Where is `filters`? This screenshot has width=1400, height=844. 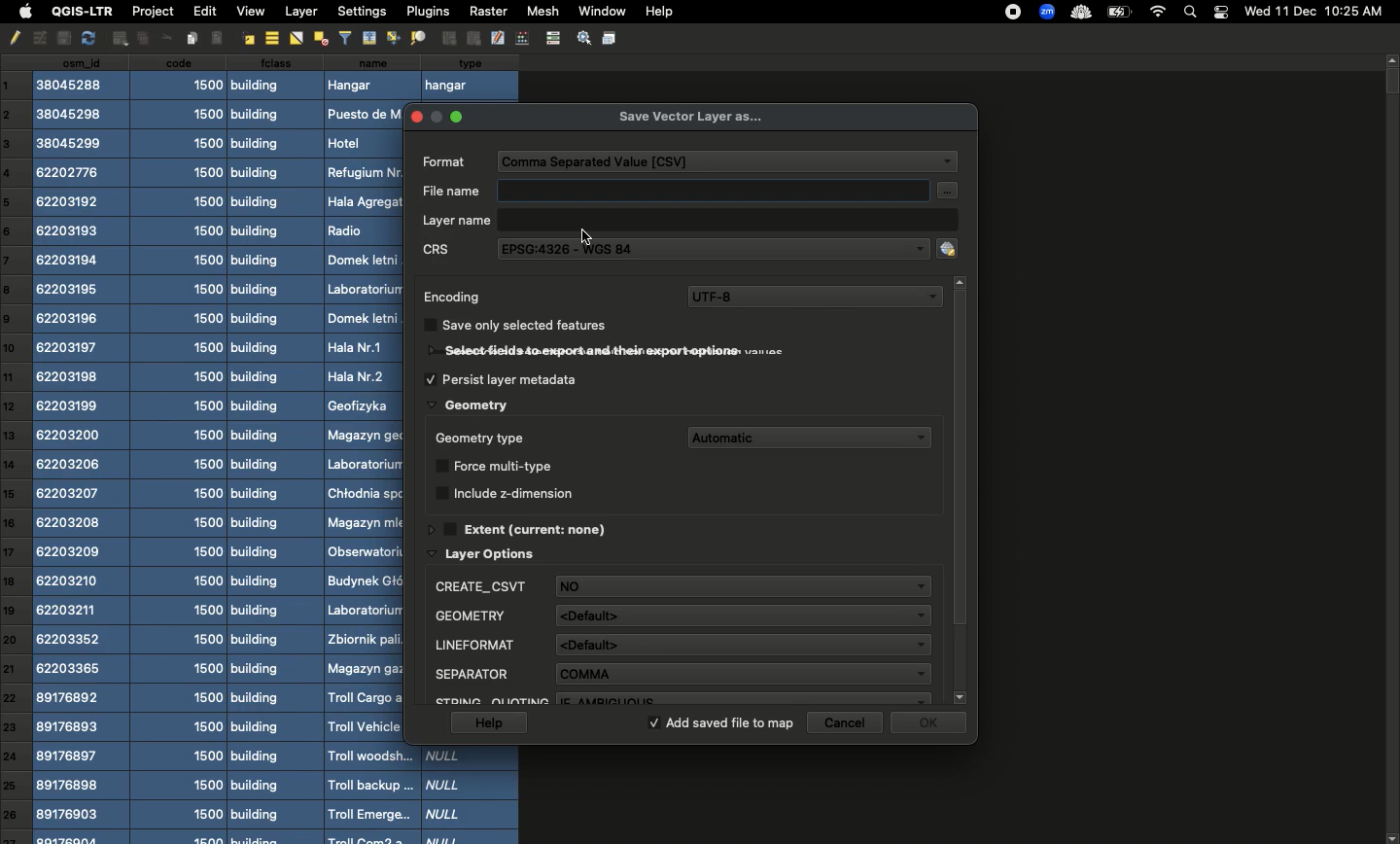 filters is located at coordinates (345, 36).